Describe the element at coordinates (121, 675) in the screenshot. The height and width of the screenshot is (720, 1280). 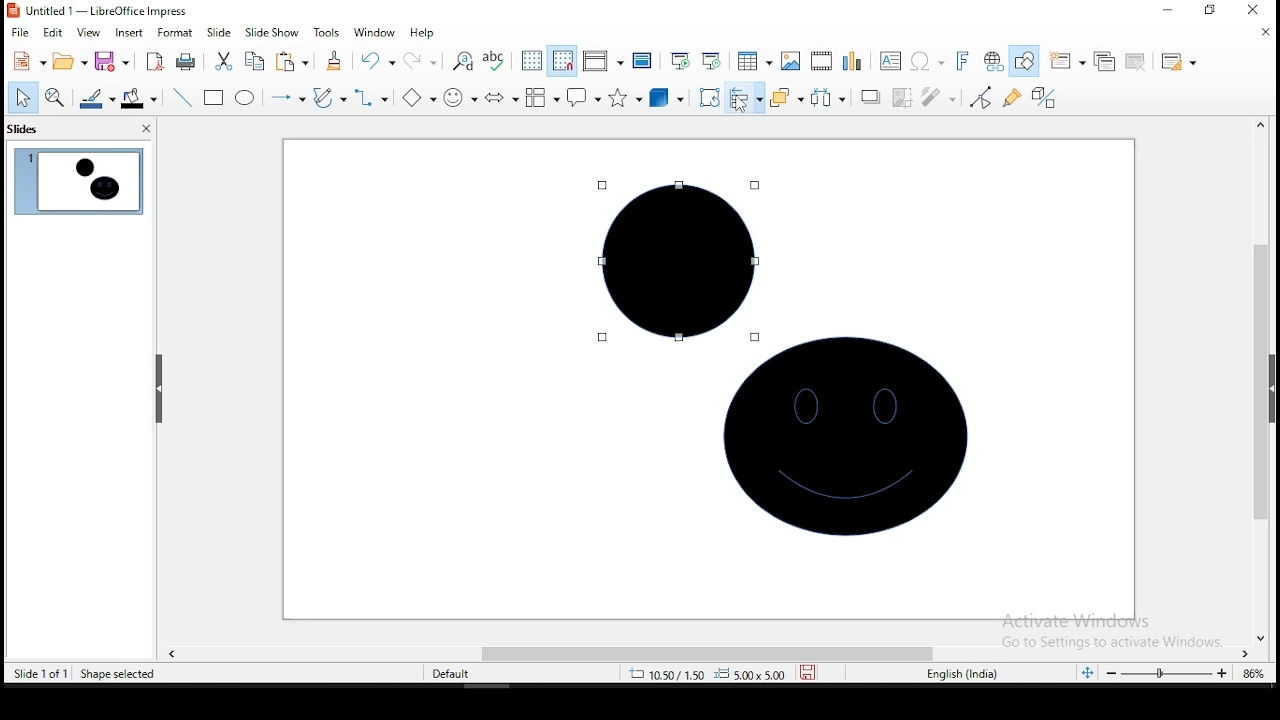
I see `shape selected` at that location.